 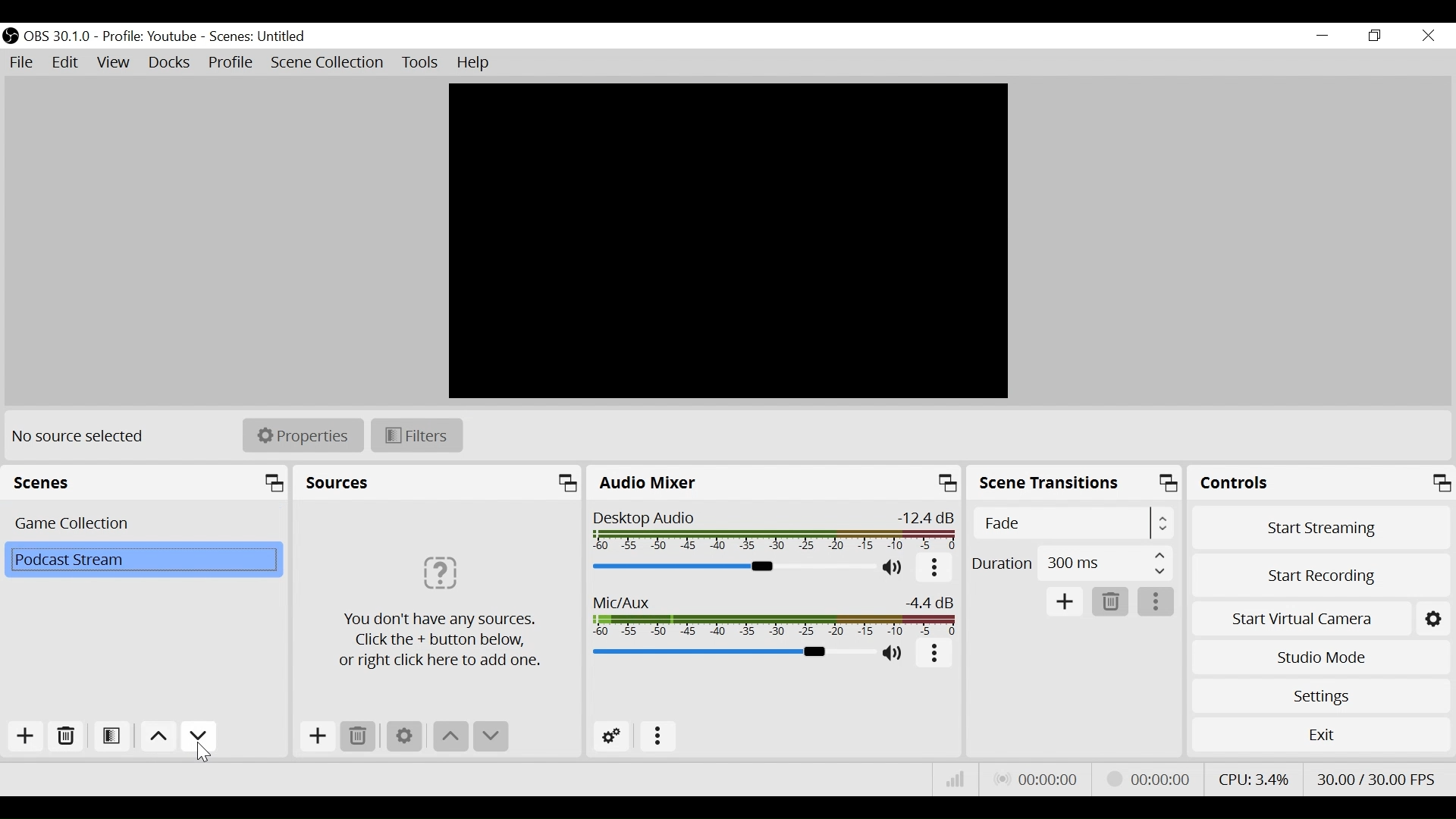 What do you see at coordinates (152, 562) in the screenshot?
I see `Scene` at bounding box center [152, 562].